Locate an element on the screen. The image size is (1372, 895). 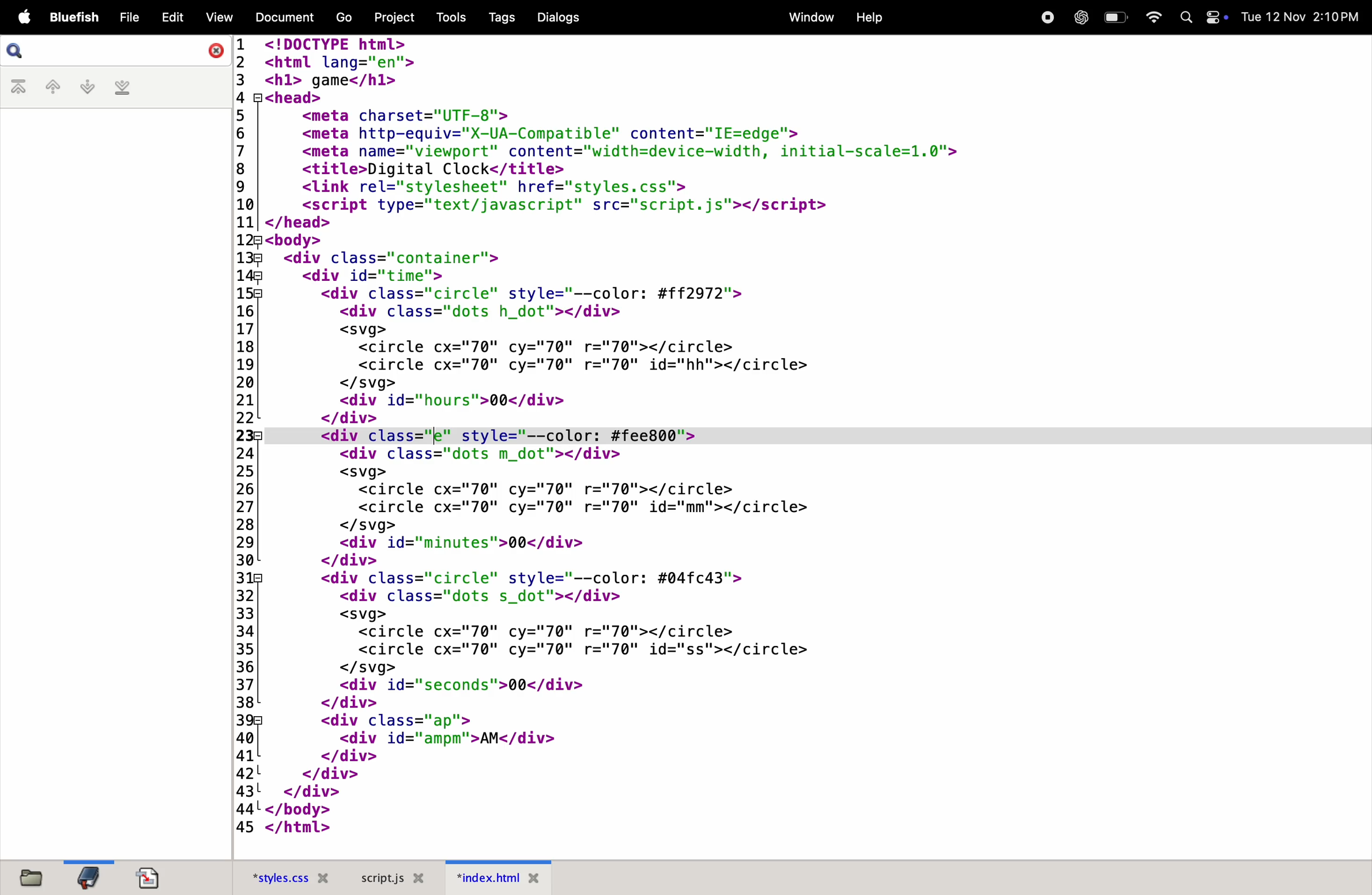
scropt.js is located at coordinates (390, 878).